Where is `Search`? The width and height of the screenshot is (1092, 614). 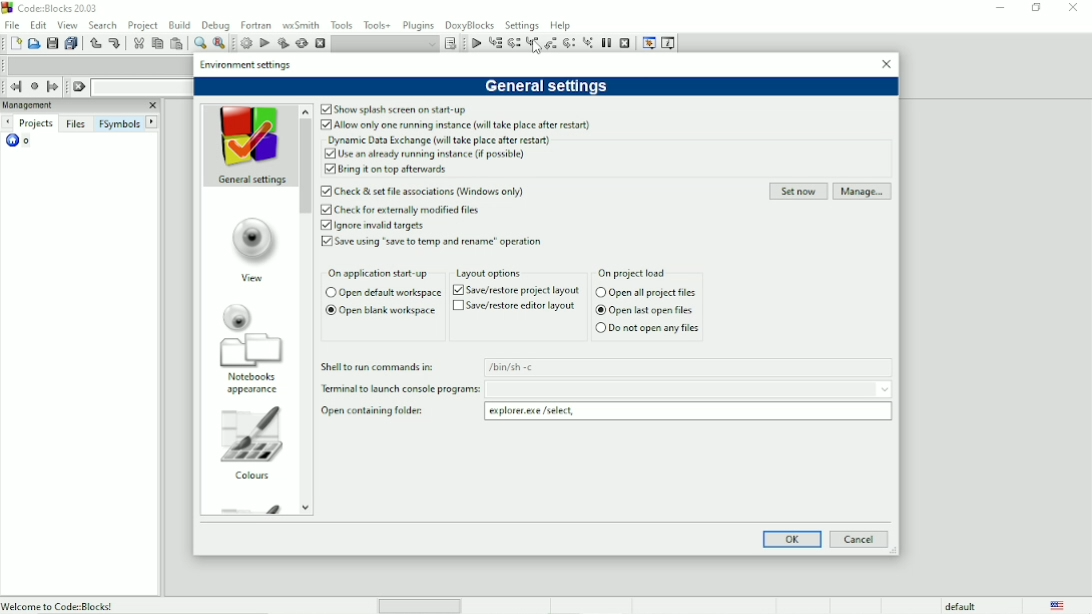 Search is located at coordinates (102, 25).